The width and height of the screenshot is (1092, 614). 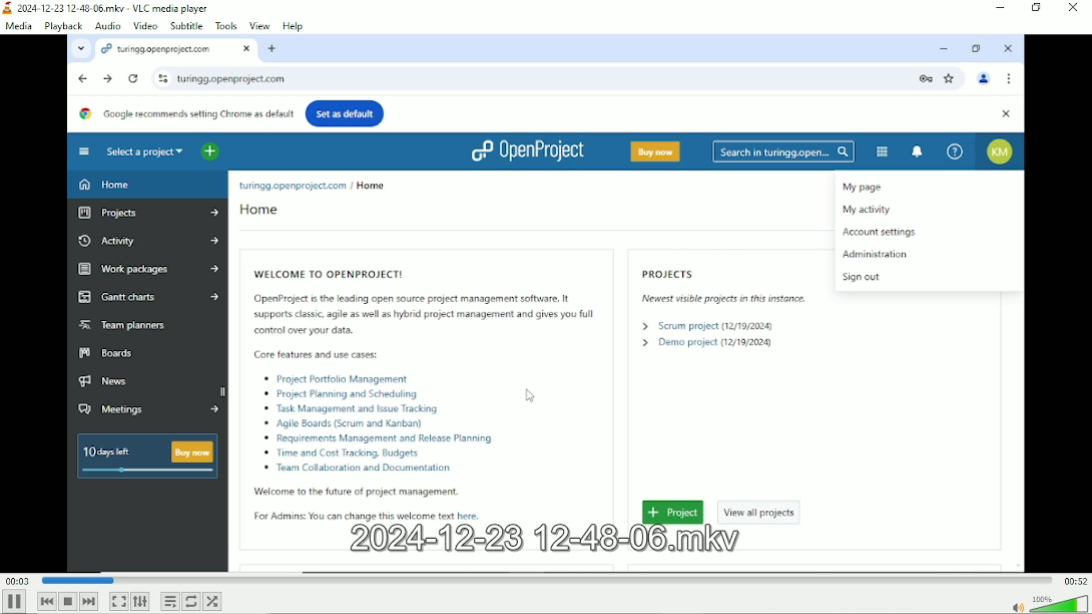 What do you see at coordinates (187, 25) in the screenshot?
I see `Subtitle` at bounding box center [187, 25].